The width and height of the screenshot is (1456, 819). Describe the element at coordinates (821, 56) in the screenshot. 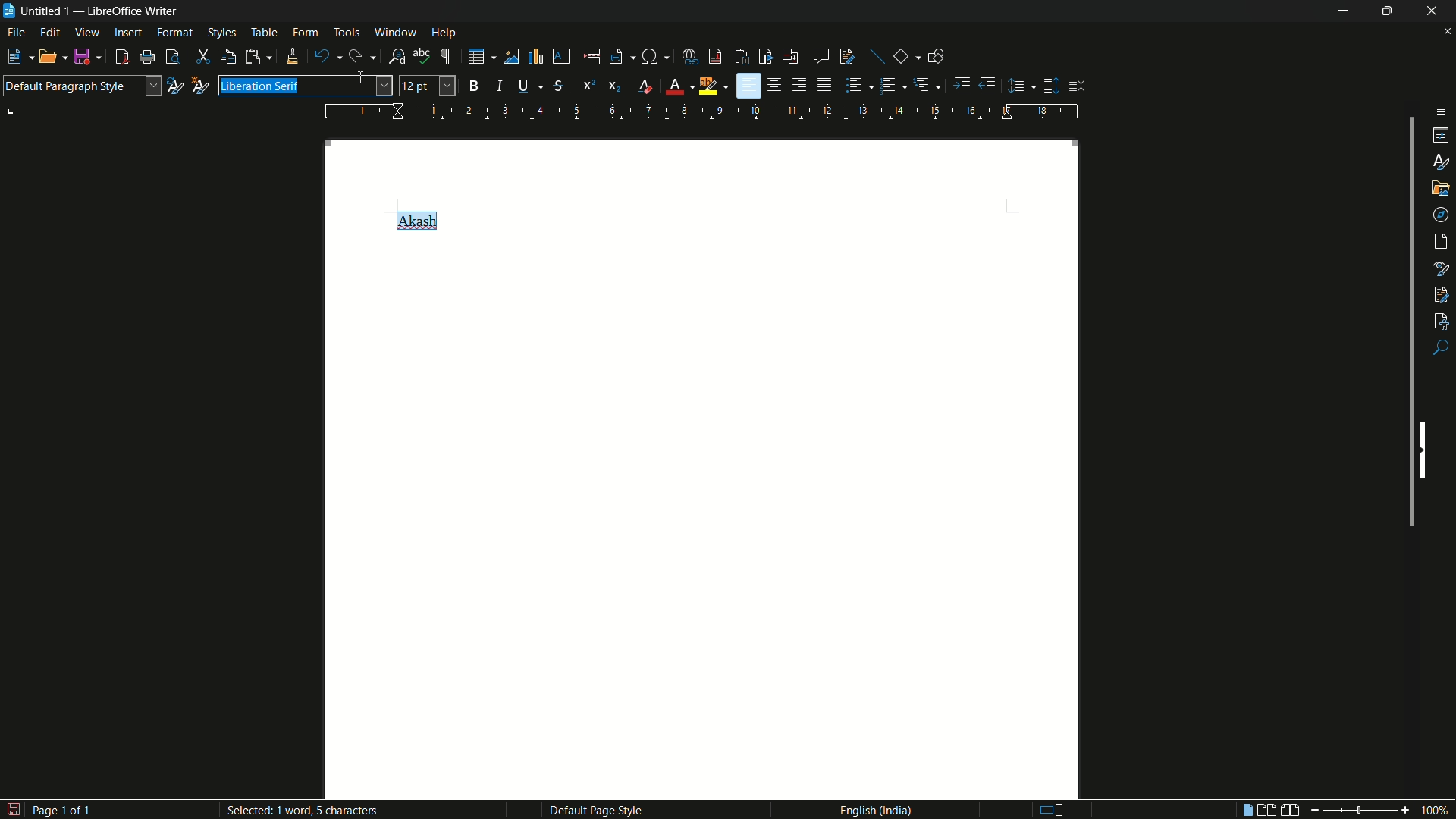

I see `insert comment` at that location.